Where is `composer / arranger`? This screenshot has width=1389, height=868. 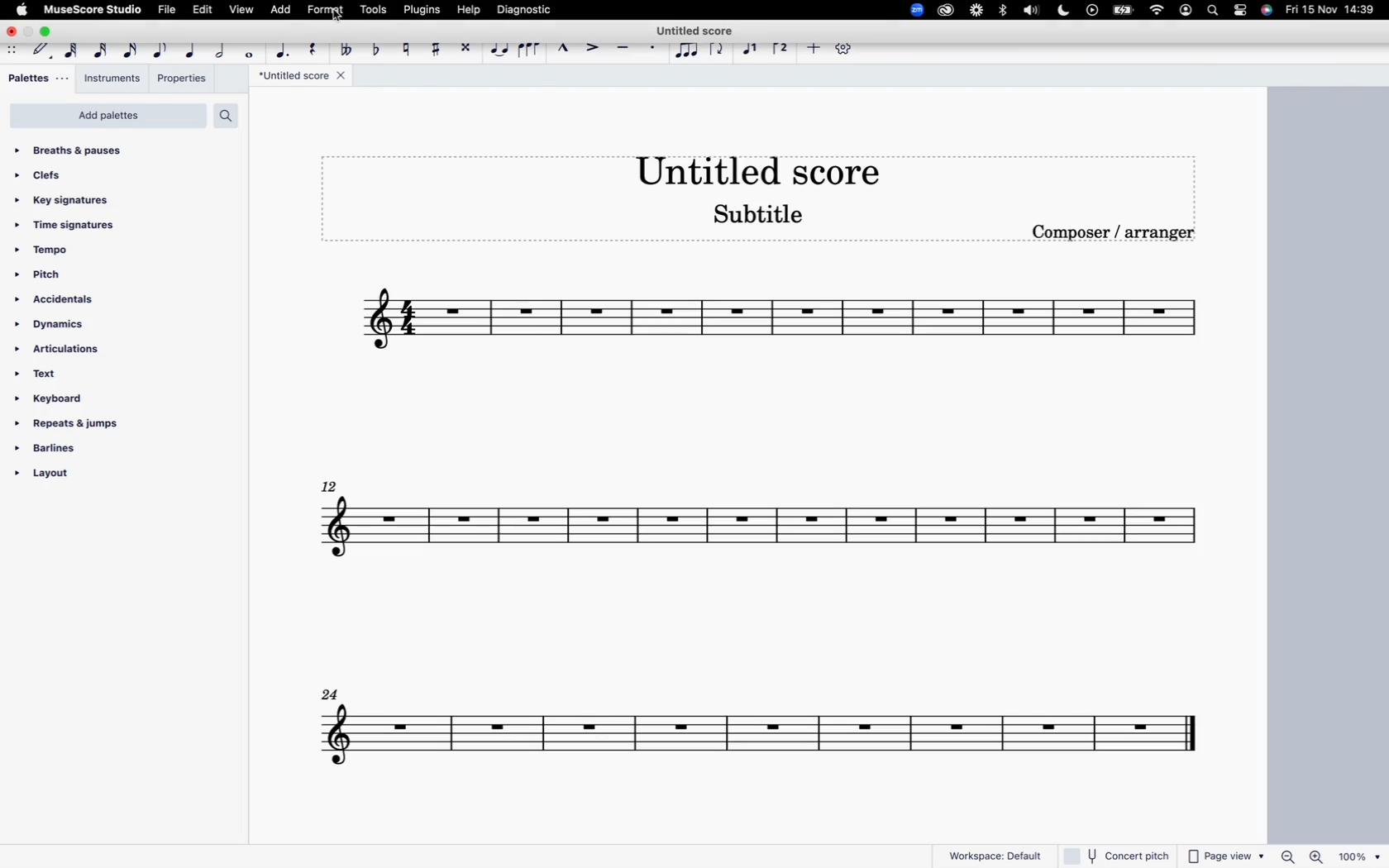
composer / arranger is located at coordinates (1119, 234).